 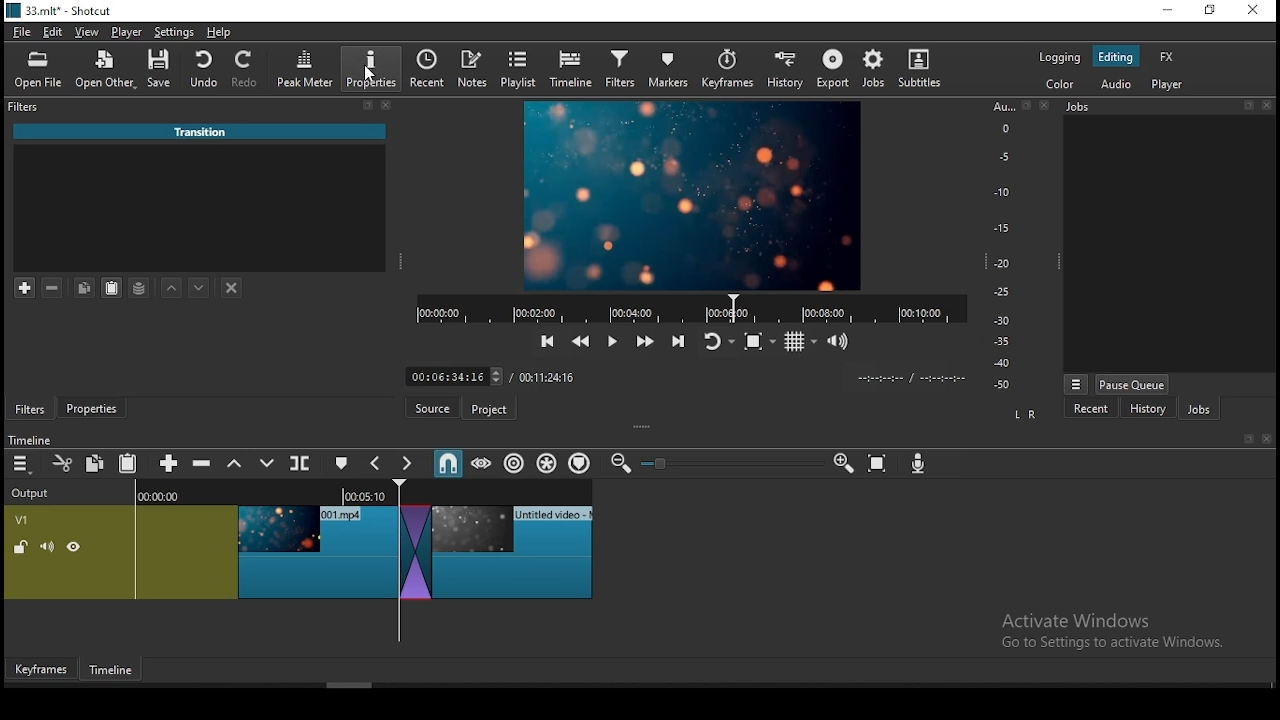 I want to click on append, so click(x=170, y=464).